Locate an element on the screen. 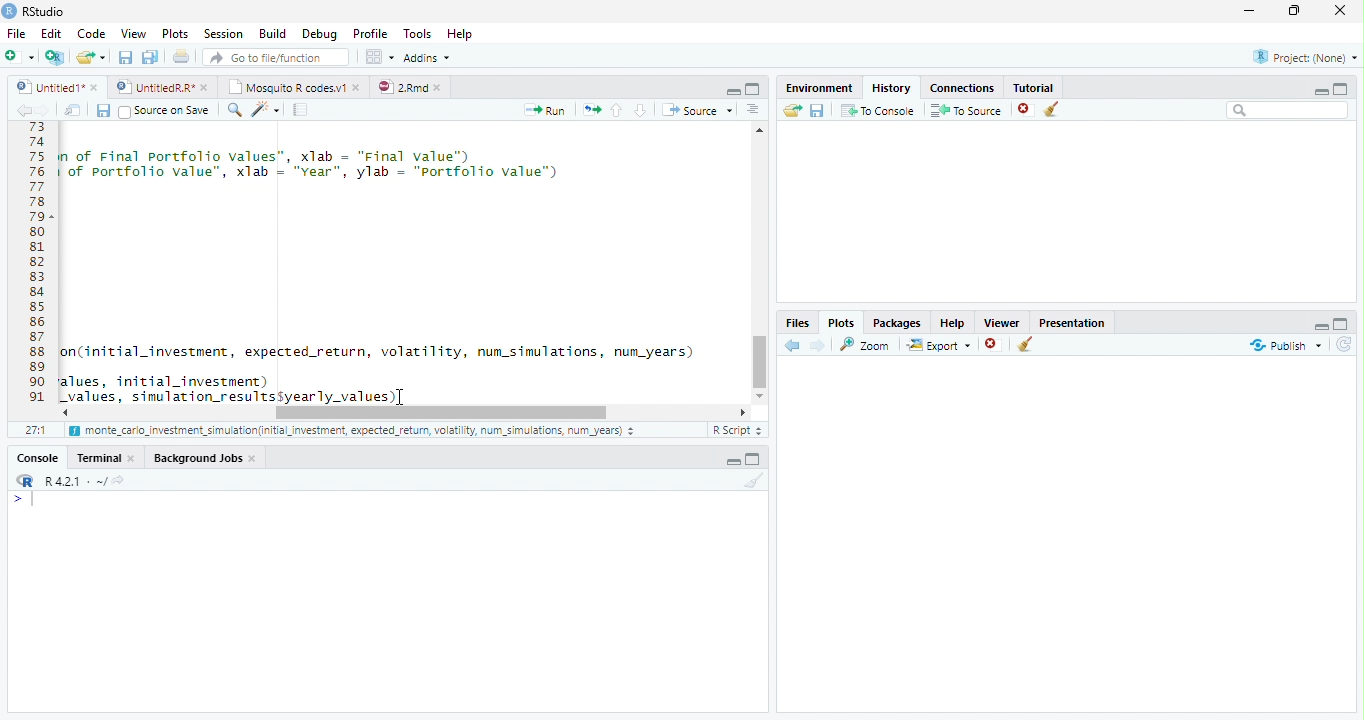  Tutorial is located at coordinates (1030, 85).